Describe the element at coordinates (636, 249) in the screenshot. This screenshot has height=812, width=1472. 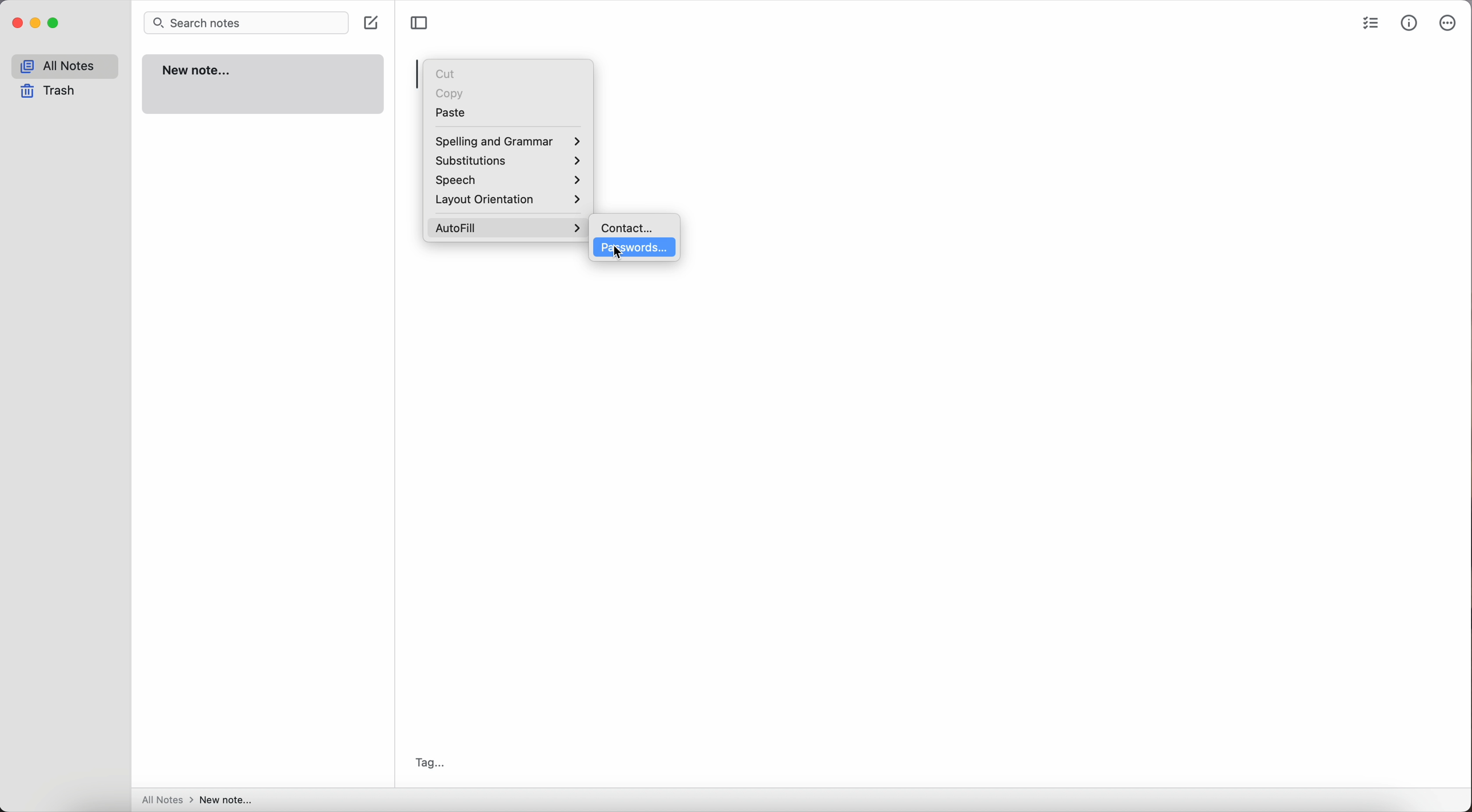
I see `click on passwords` at that location.